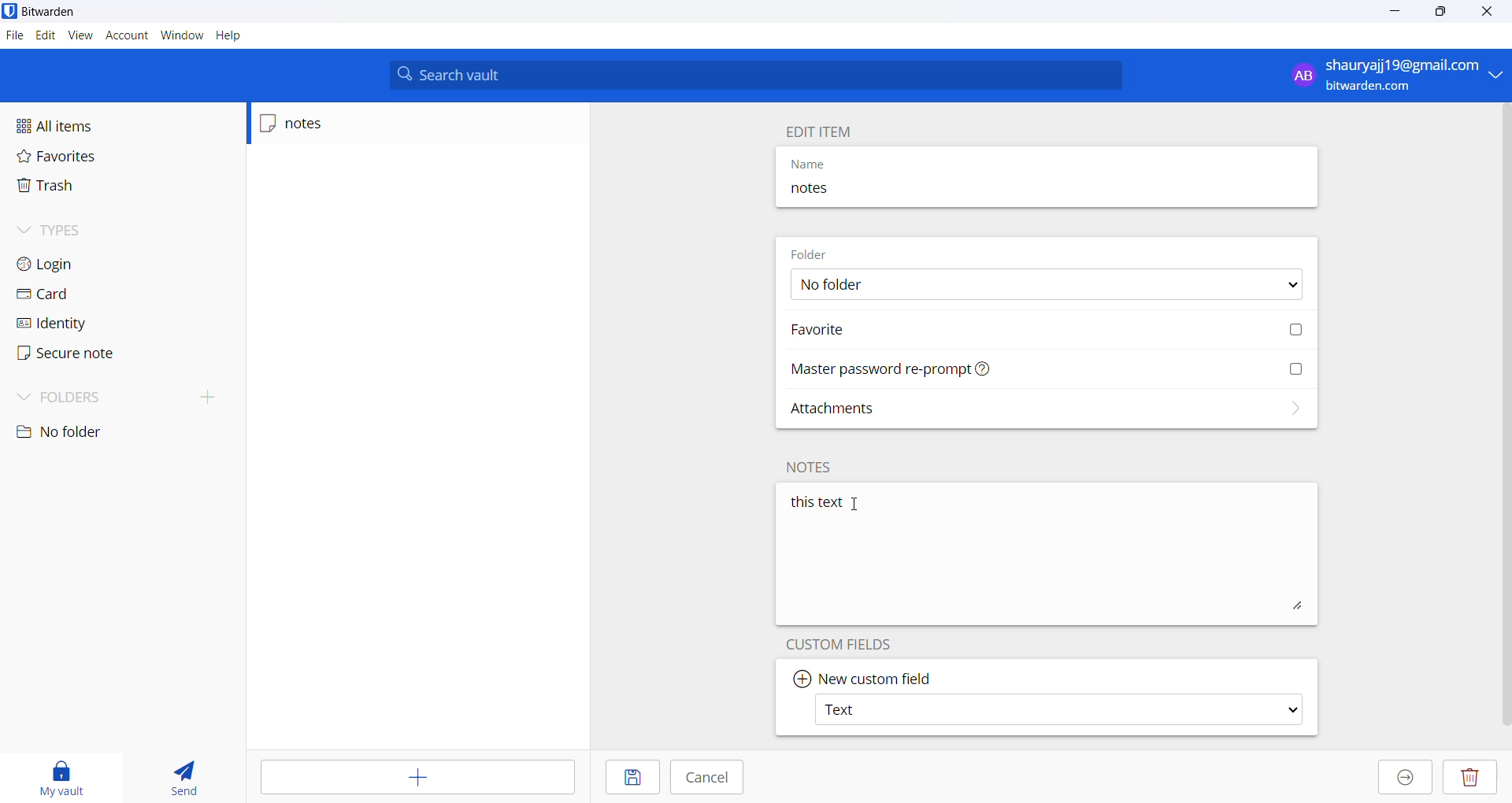  Describe the element at coordinates (708, 778) in the screenshot. I see `cancel` at that location.